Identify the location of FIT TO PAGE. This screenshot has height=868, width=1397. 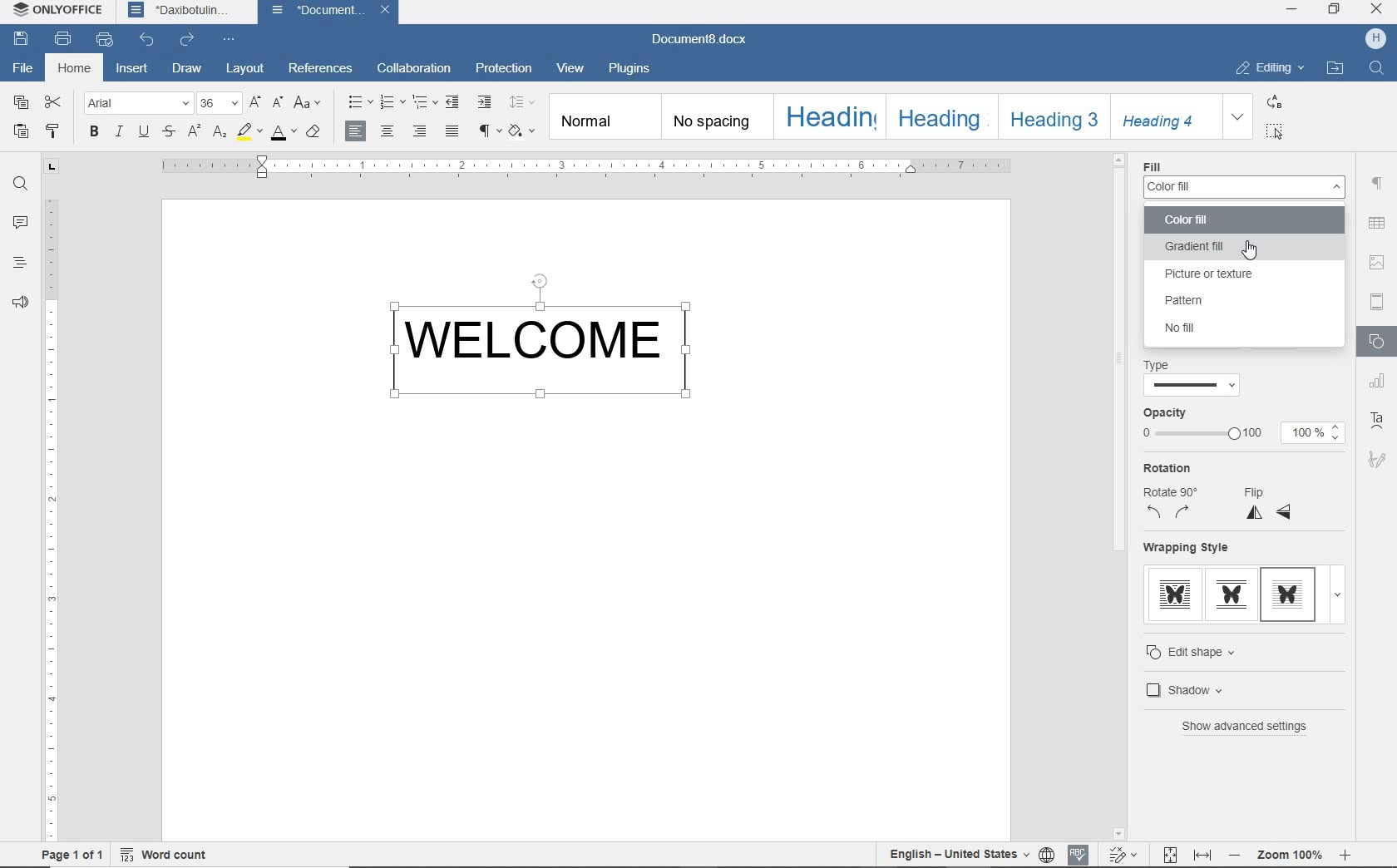
(1170, 856).